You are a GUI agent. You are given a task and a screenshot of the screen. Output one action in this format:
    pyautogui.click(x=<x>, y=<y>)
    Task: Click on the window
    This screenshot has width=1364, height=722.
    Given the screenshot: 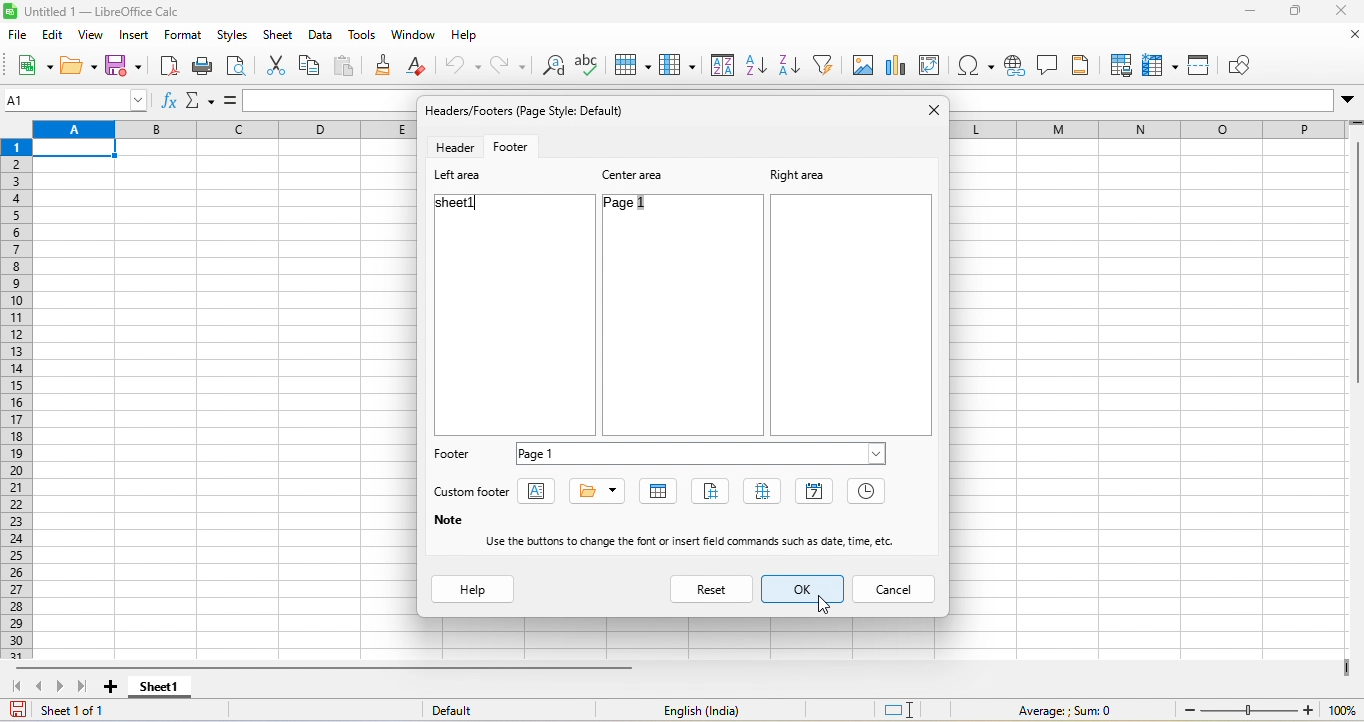 What is the action you would take?
    pyautogui.click(x=410, y=38)
    